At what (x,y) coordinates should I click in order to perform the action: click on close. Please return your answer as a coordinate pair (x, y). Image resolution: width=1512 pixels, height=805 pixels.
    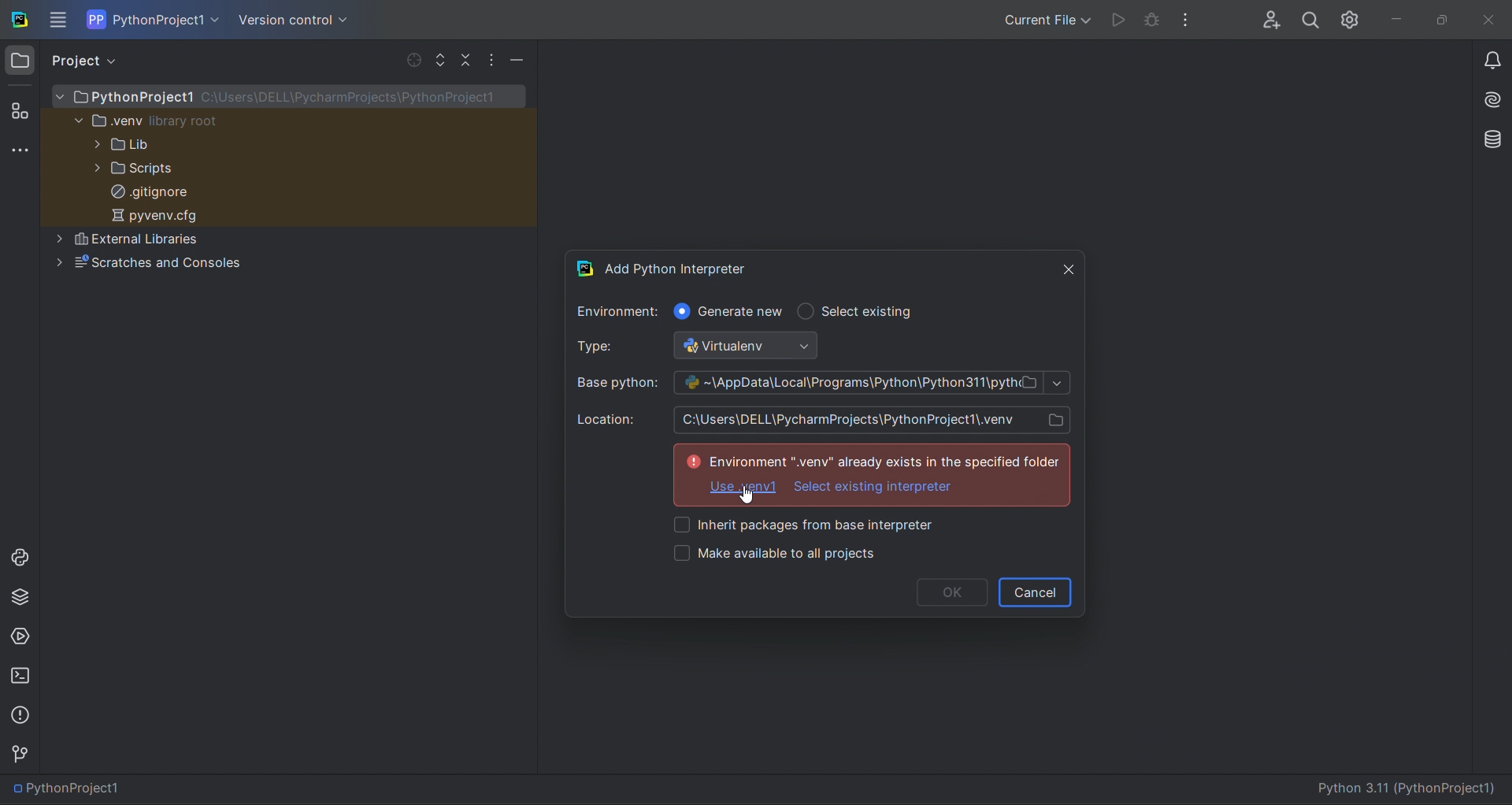
    Looking at the image, I should click on (1489, 21).